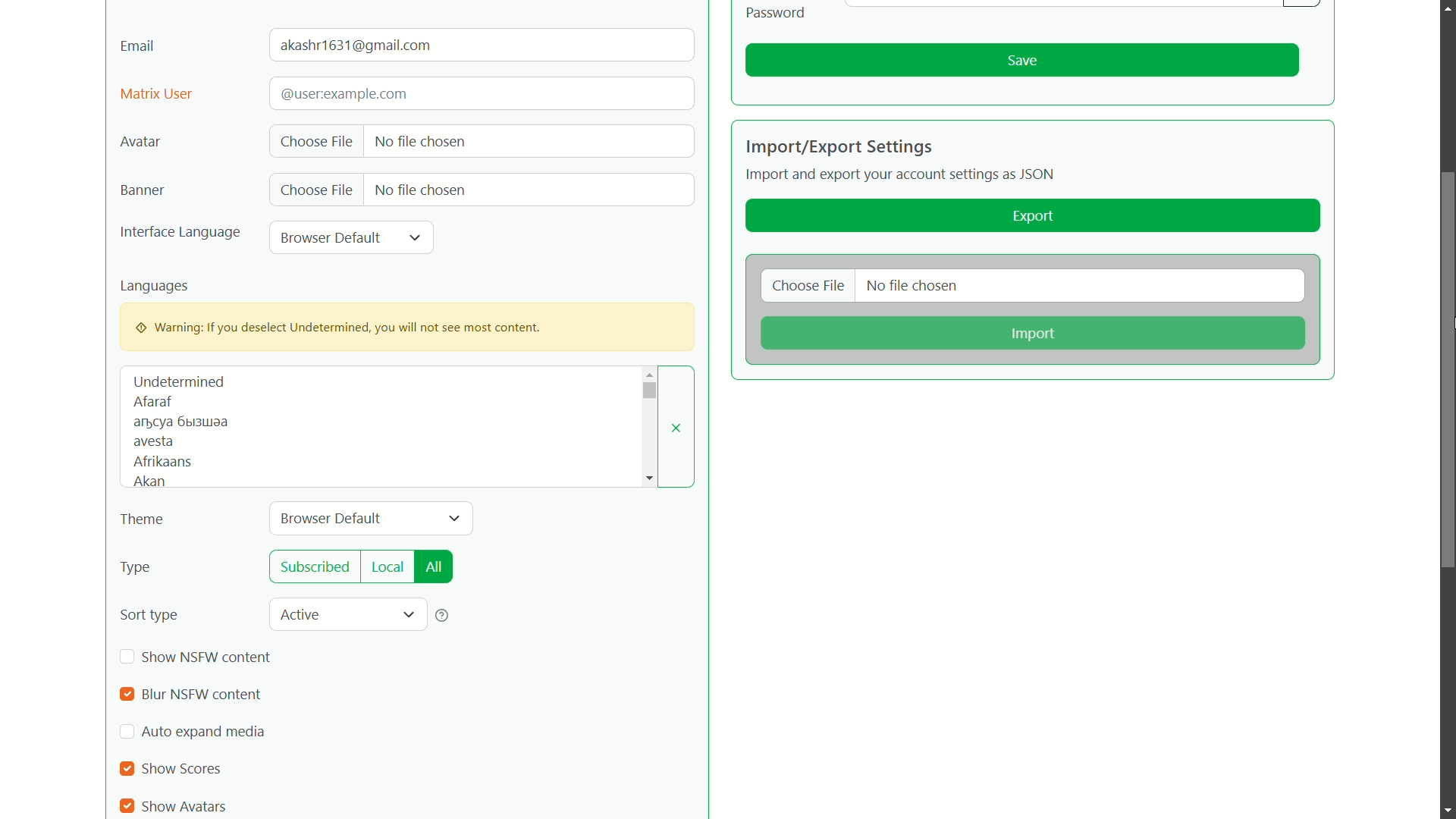  What do you see at coordinates (156, 95) in the screenshot?
I see `matrix user` at bounding box center [156, 95].